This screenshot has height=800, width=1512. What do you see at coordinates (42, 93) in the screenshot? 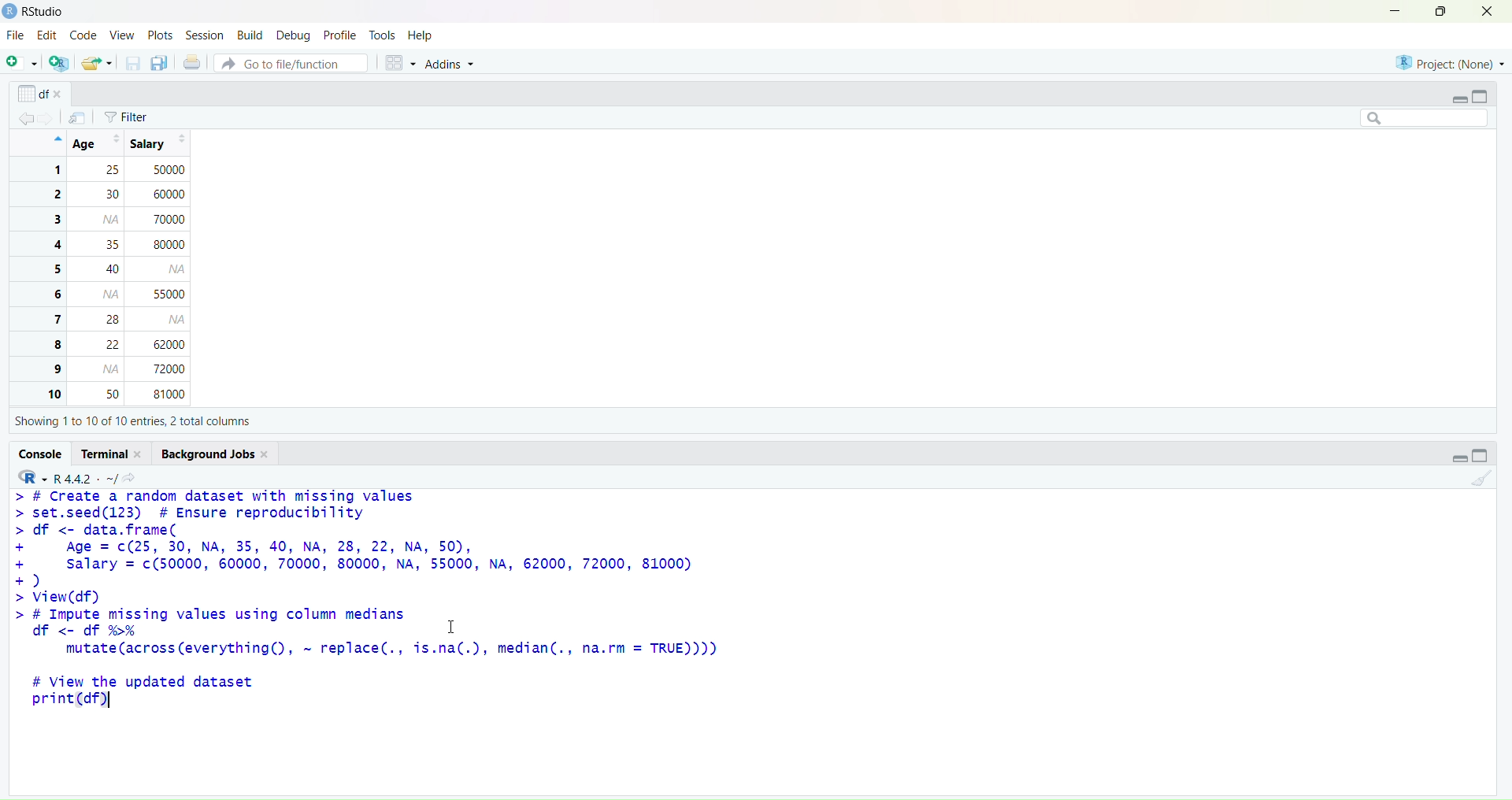
I see `options of x` at bounding box center [42, 93].